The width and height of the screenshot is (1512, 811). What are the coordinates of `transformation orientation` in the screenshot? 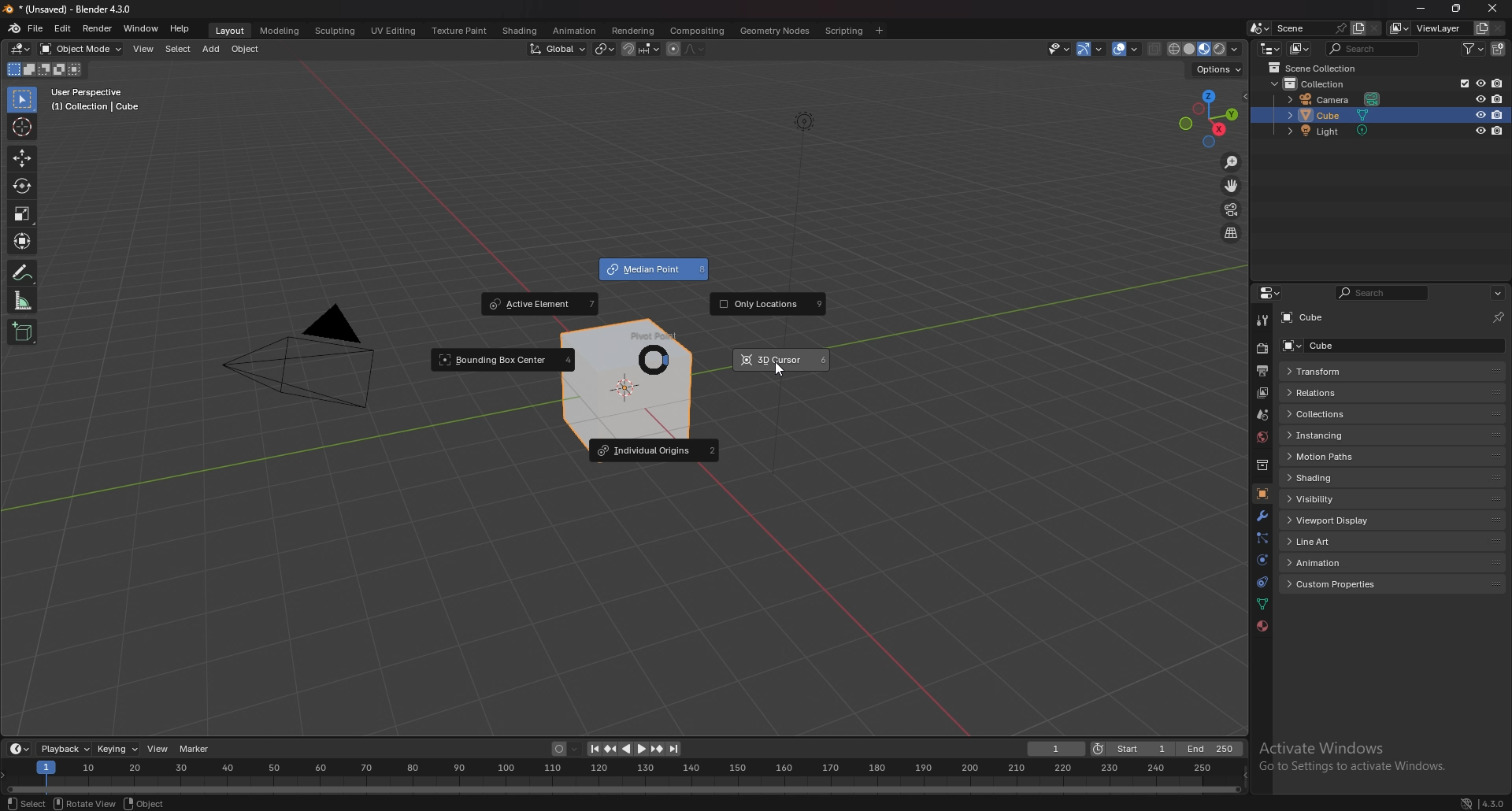 It's located at (558, 49).